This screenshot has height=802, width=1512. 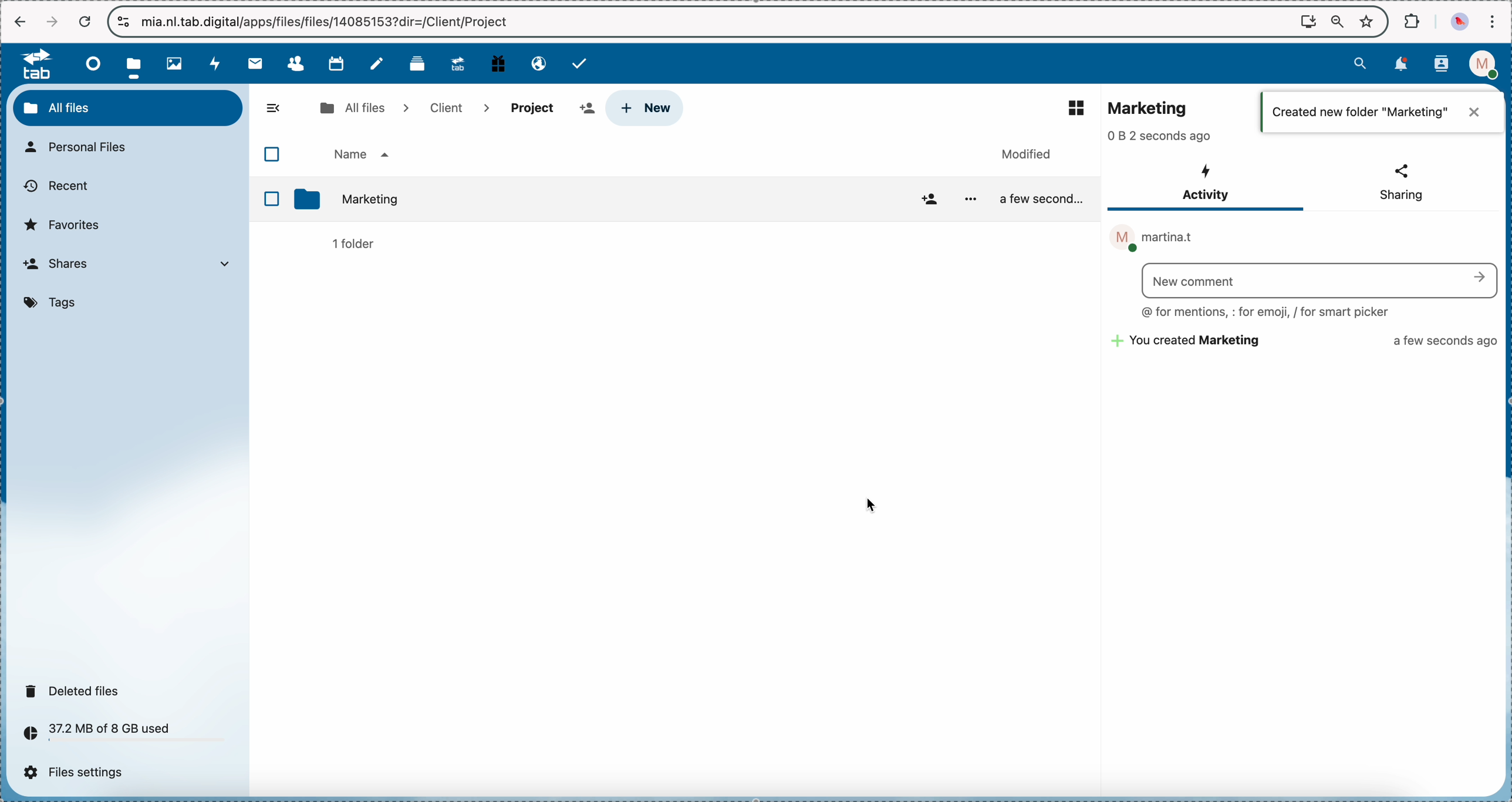 What do you see at coordinates (274, 109) in the screenshot?
I see `hide menu` at bounding box center [274, 109].